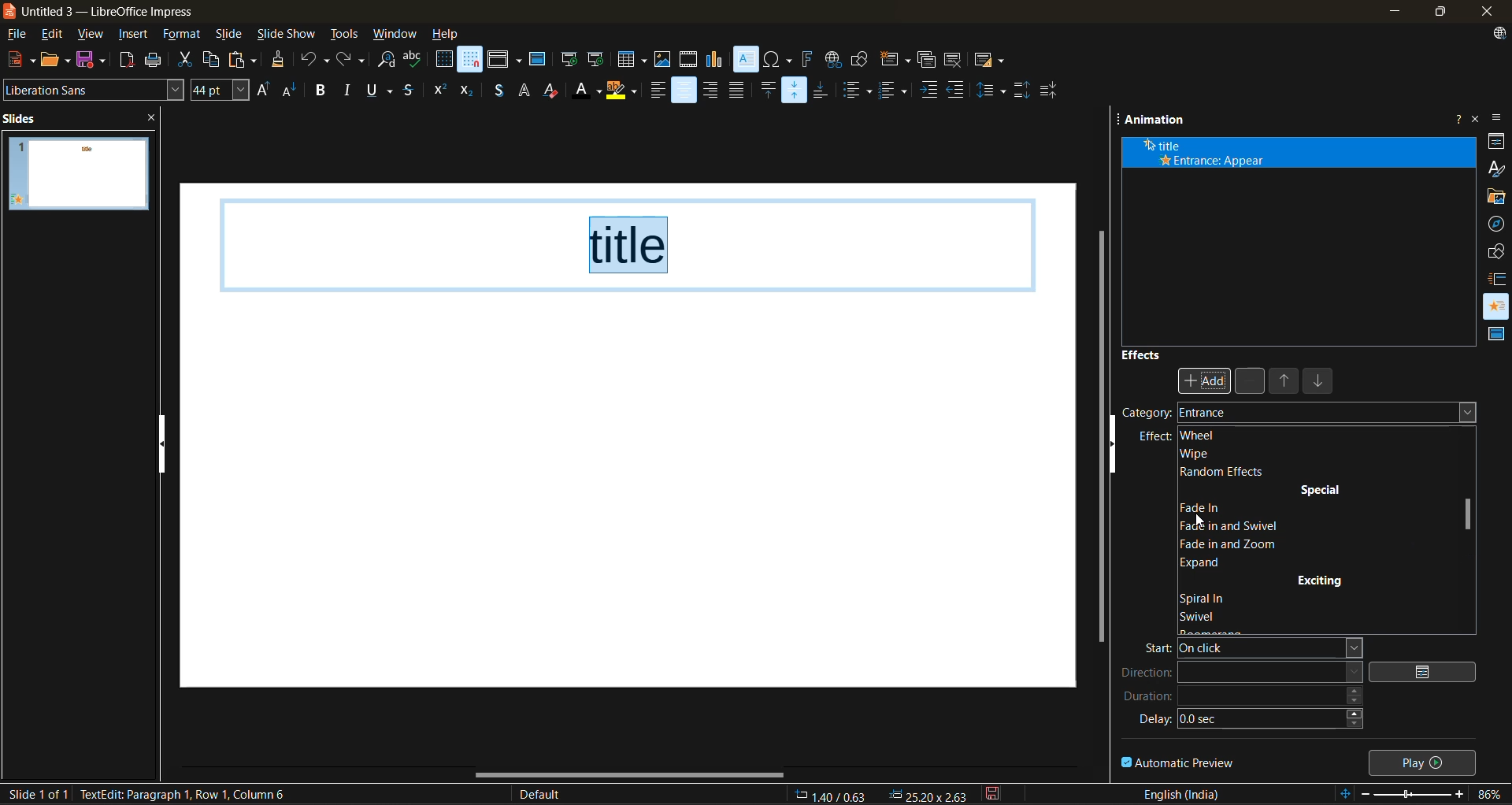 Image resolution: width=1512 pixels, height=805 pixels. I want to click on co ordininates, so click(881, 793).